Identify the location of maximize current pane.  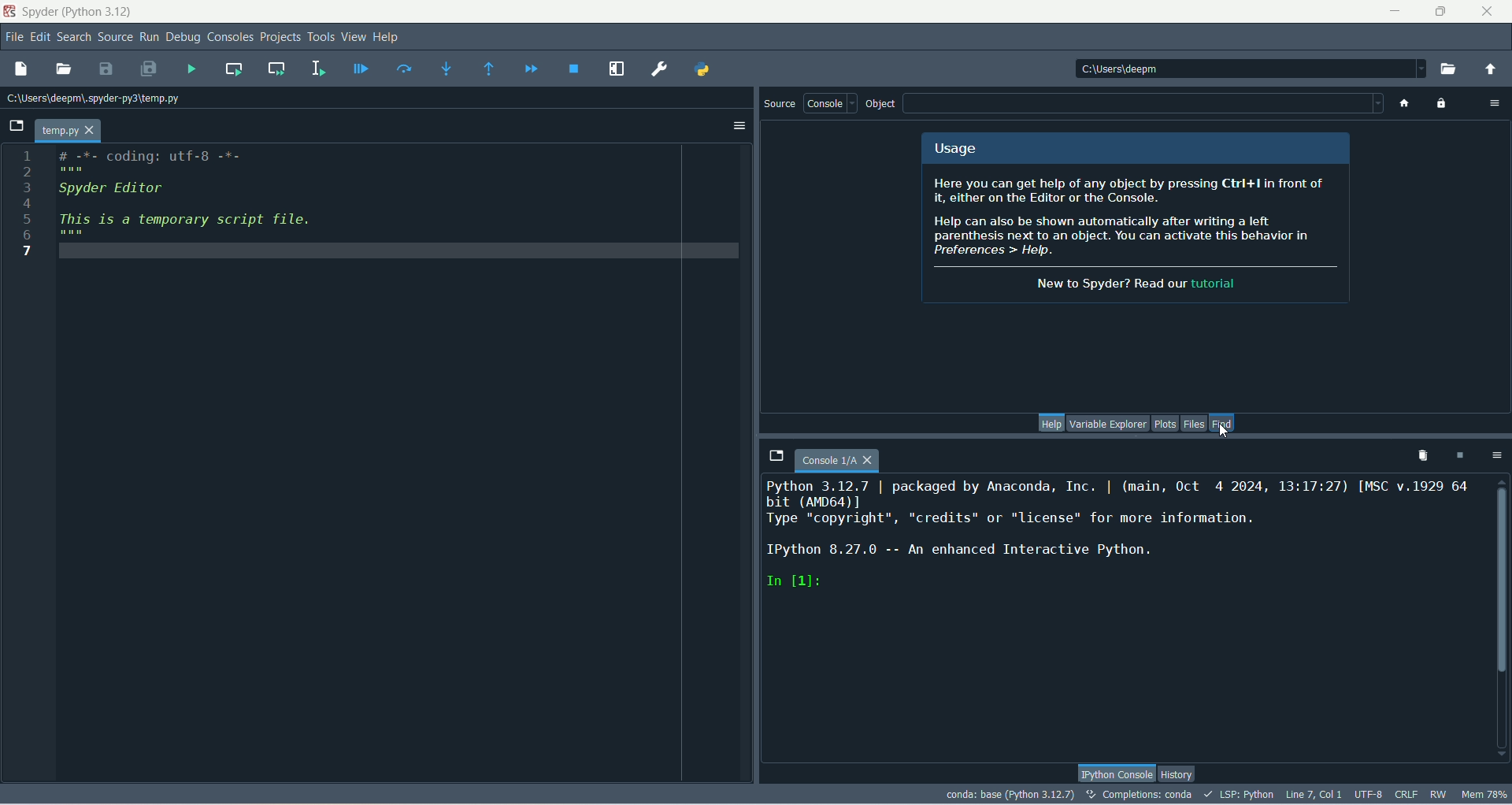
(618, 69).